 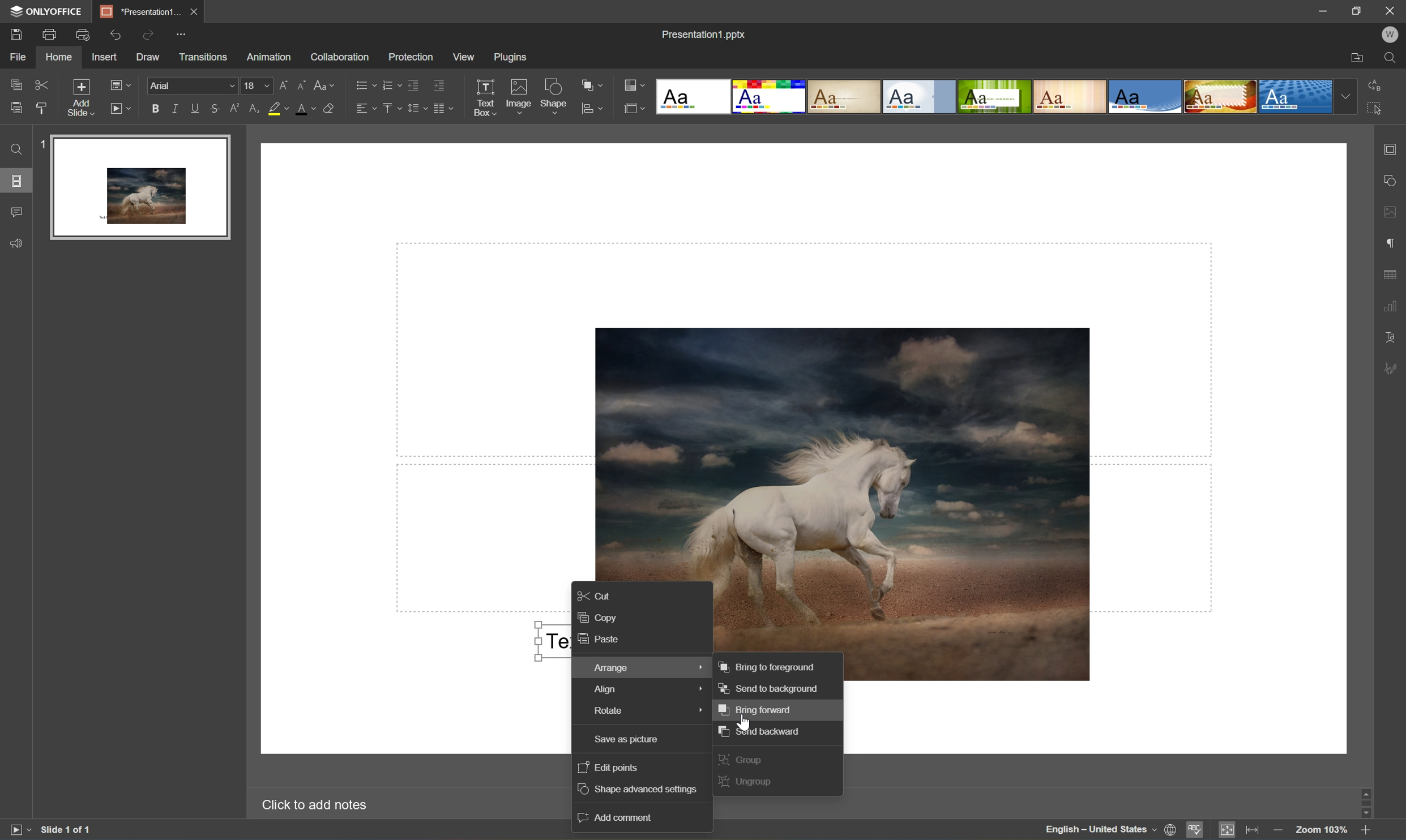 I want to click on Change color theme, so click(x=635, y=85).